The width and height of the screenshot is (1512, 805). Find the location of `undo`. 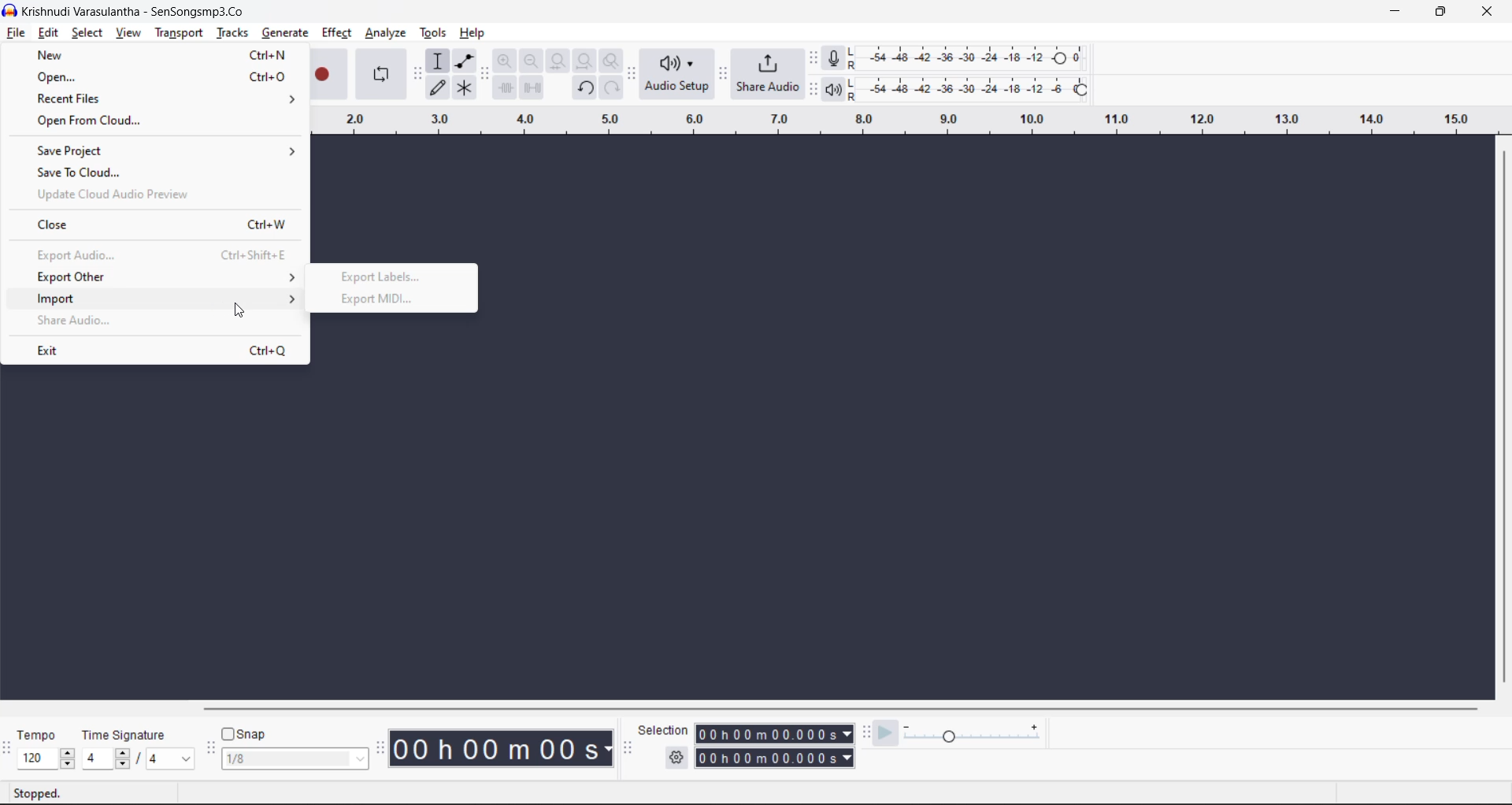

undo is located at coordinates (587, 88).